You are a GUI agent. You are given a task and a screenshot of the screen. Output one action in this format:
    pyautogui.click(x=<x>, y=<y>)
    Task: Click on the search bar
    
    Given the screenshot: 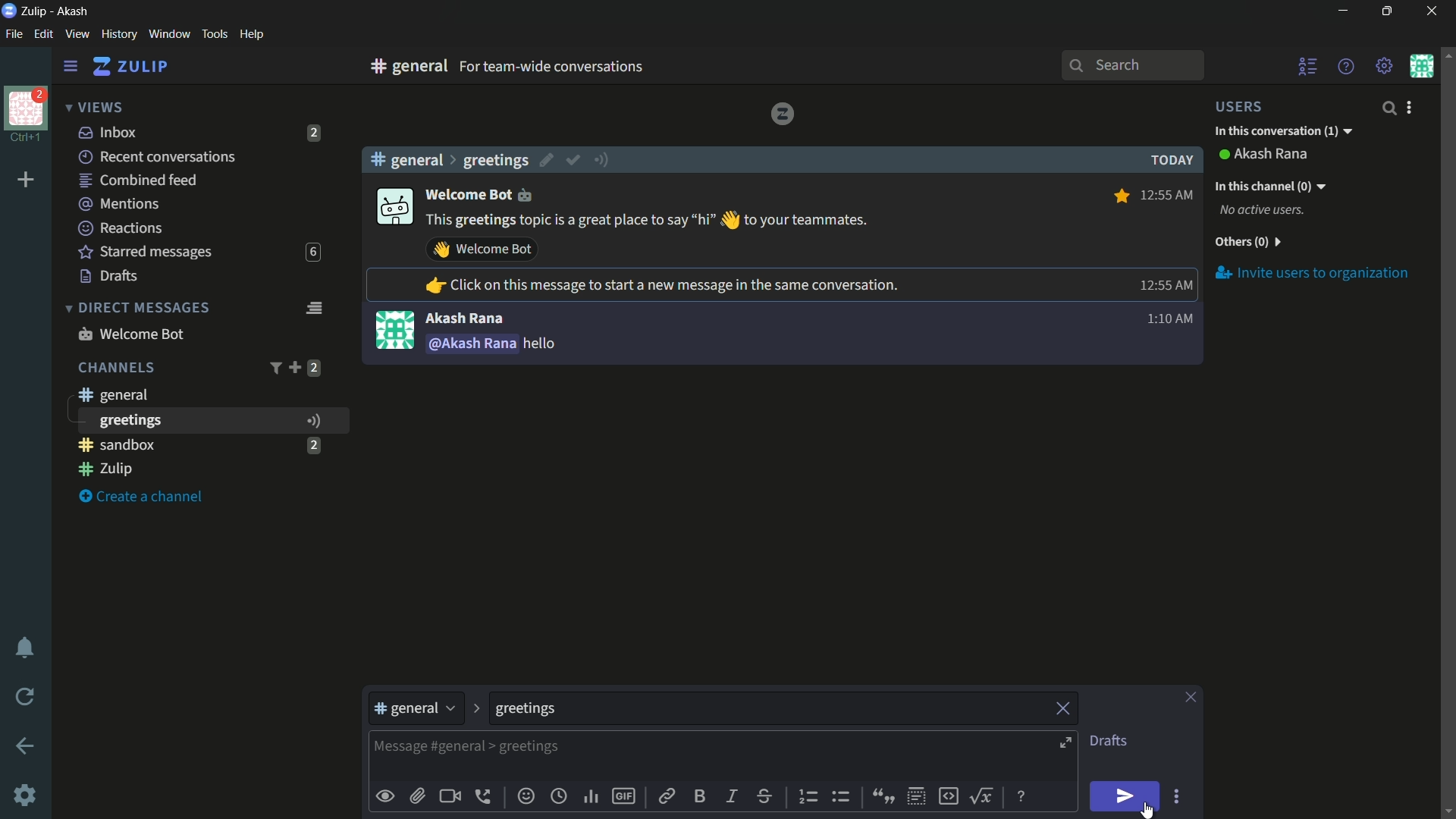 What is the action you would take?
    pyautogui.click(x=1132, y=65)
    